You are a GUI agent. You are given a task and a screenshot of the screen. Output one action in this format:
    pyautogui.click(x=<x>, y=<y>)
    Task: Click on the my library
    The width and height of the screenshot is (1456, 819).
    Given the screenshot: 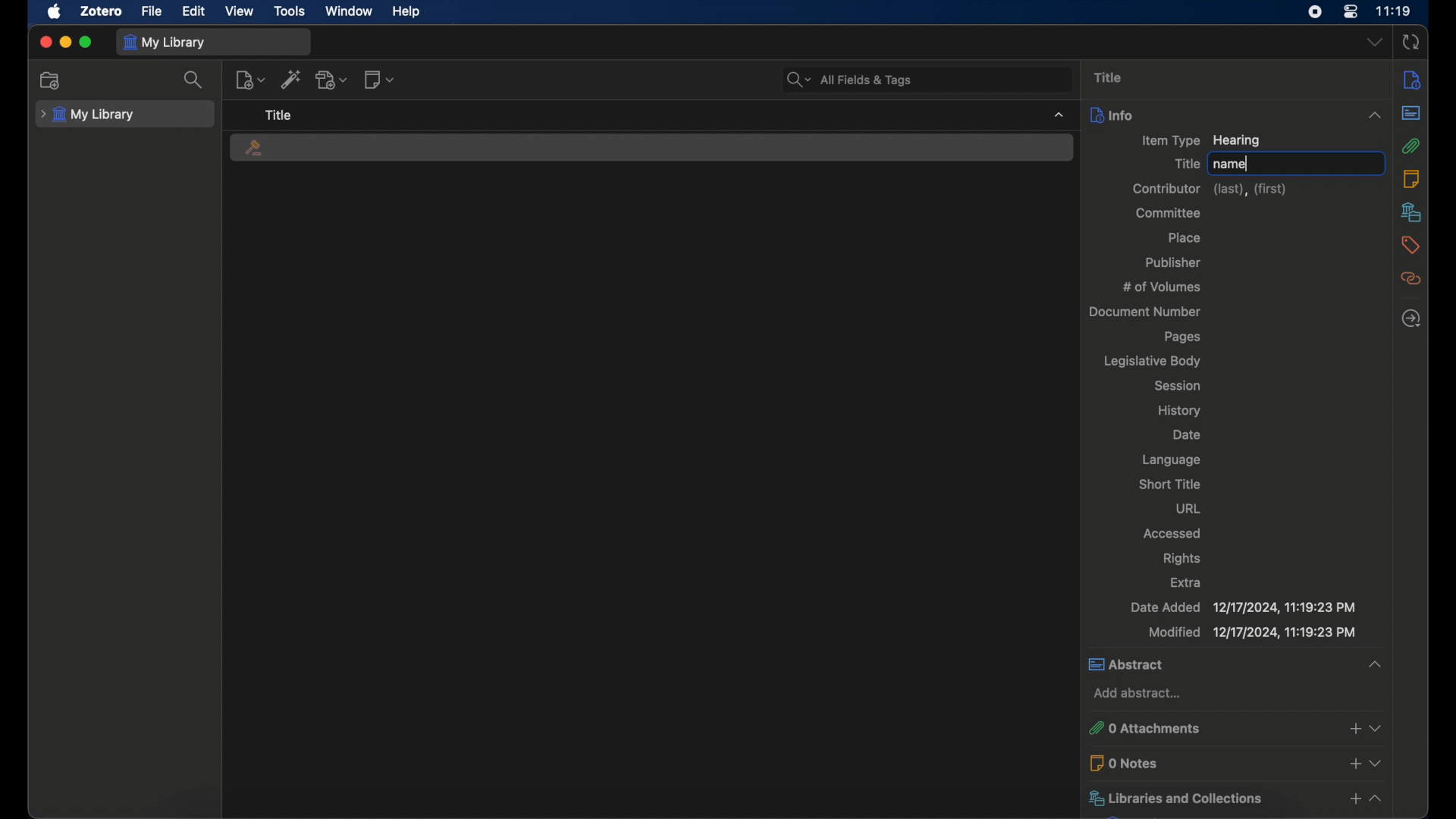 What is the action you would take?
    pyautogui.click(x=165, y=42)
    